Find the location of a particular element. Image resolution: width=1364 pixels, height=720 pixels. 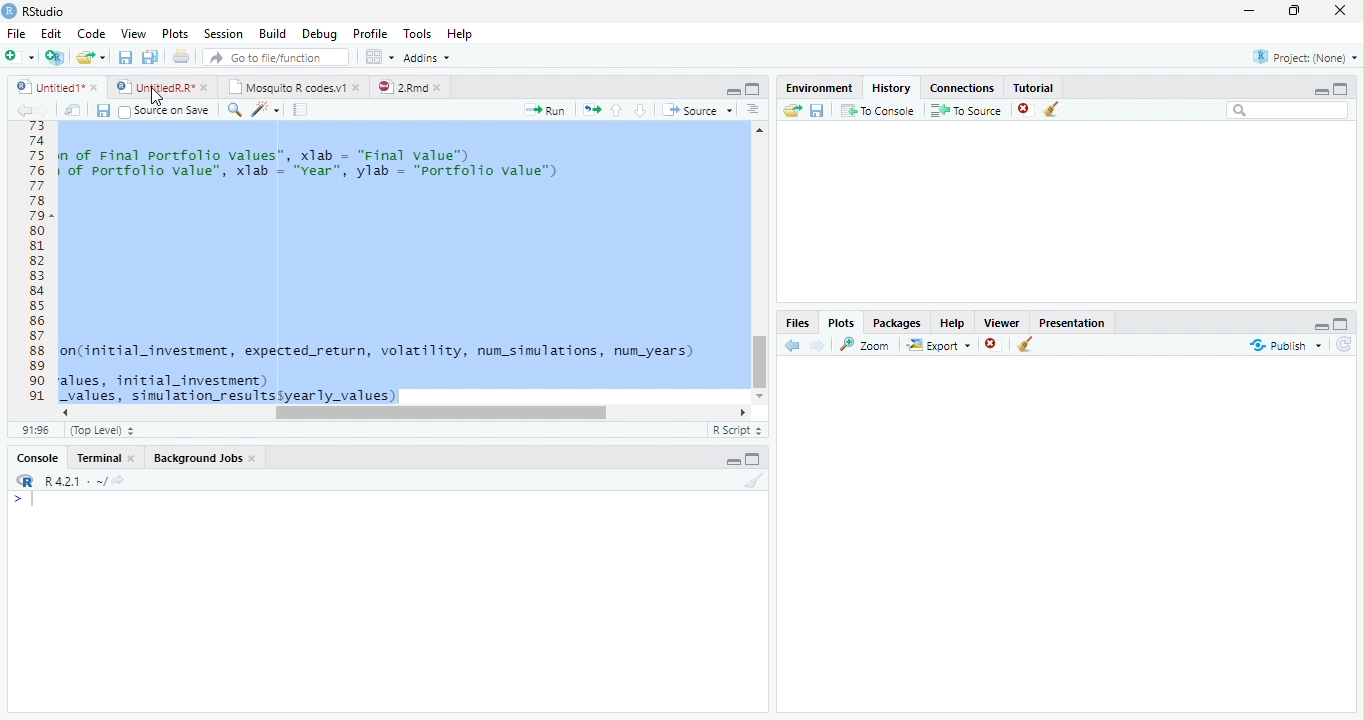

Re-run the previous code region is located at coordinates (590, 110).